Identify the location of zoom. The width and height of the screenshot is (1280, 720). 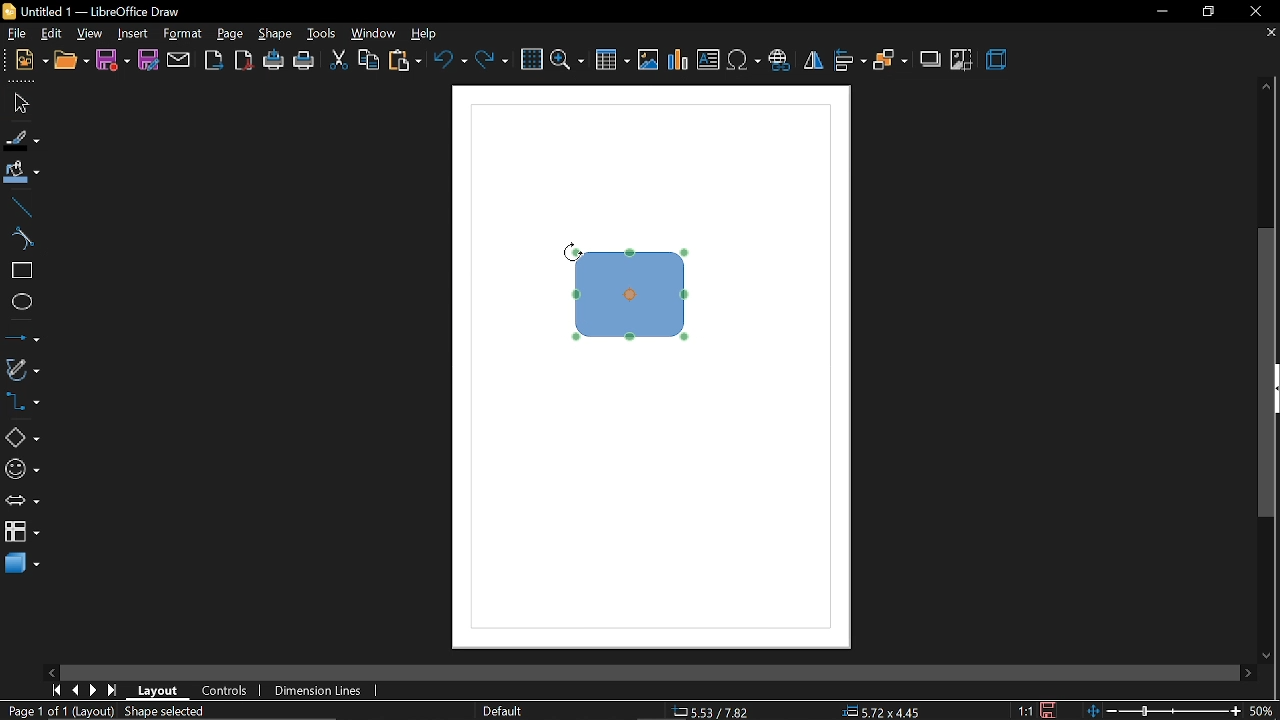
(566, 60).